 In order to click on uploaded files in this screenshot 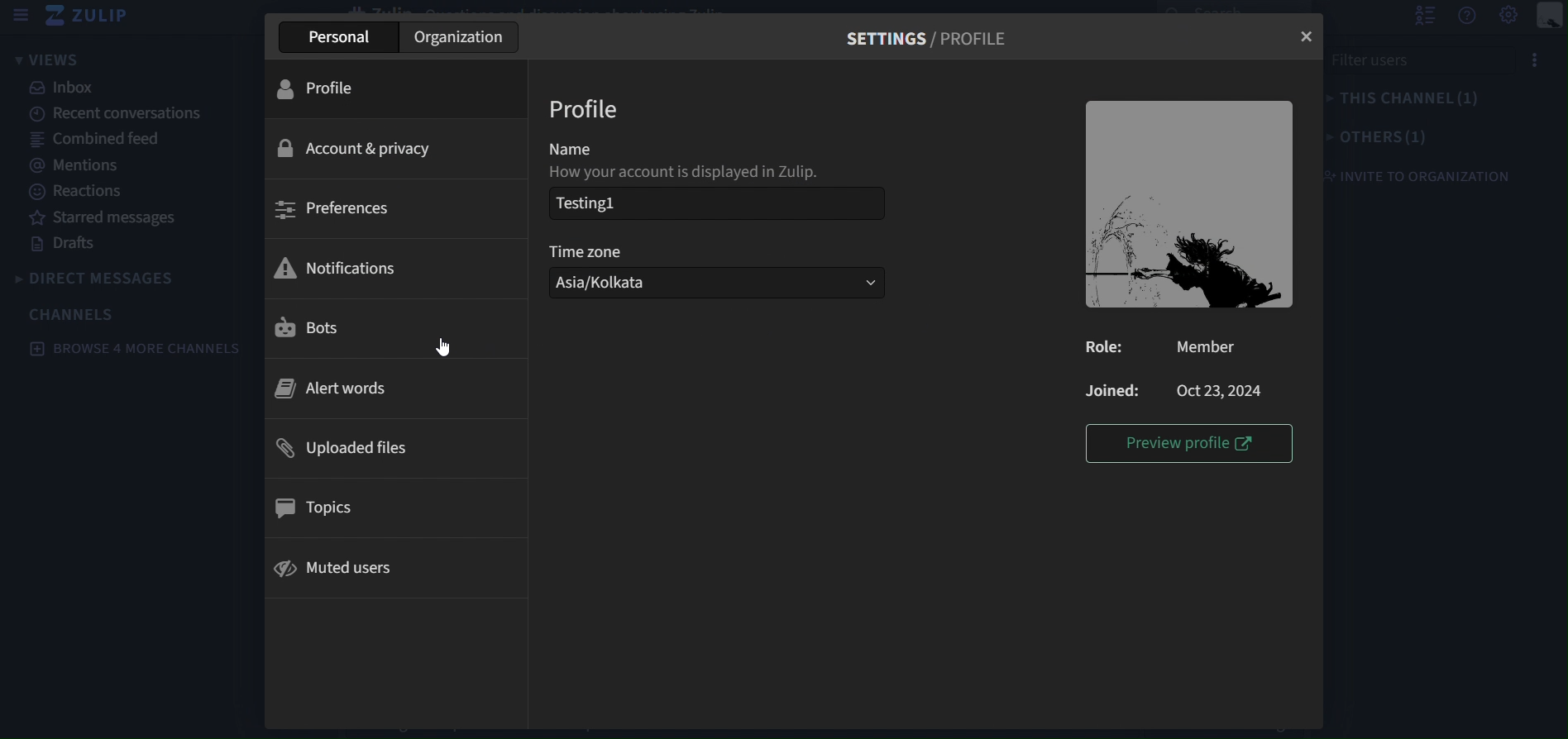, I will do `click(392, 446)`.